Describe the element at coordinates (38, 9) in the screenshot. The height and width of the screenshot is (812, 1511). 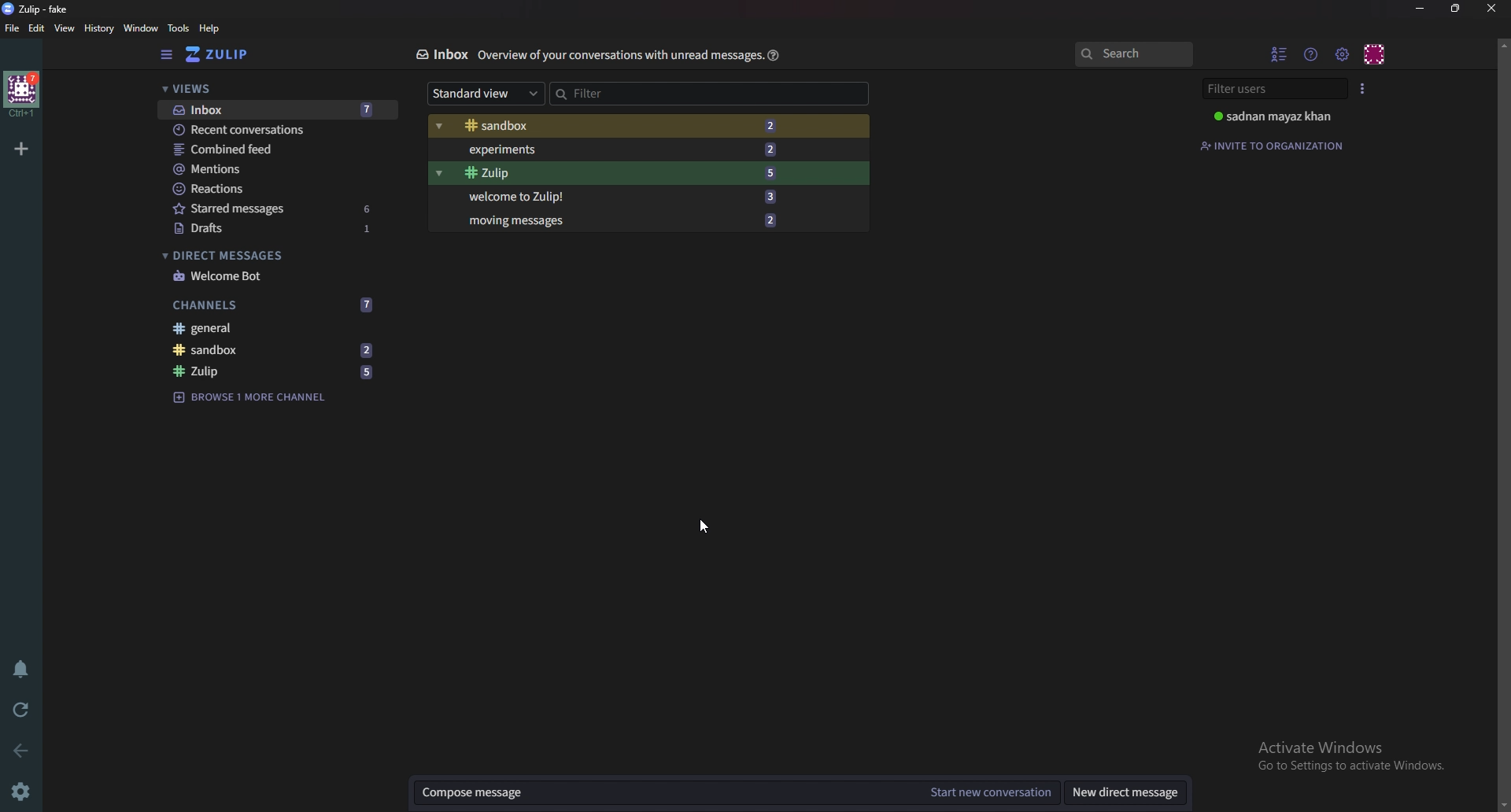
I see `ZULIP` at that location.